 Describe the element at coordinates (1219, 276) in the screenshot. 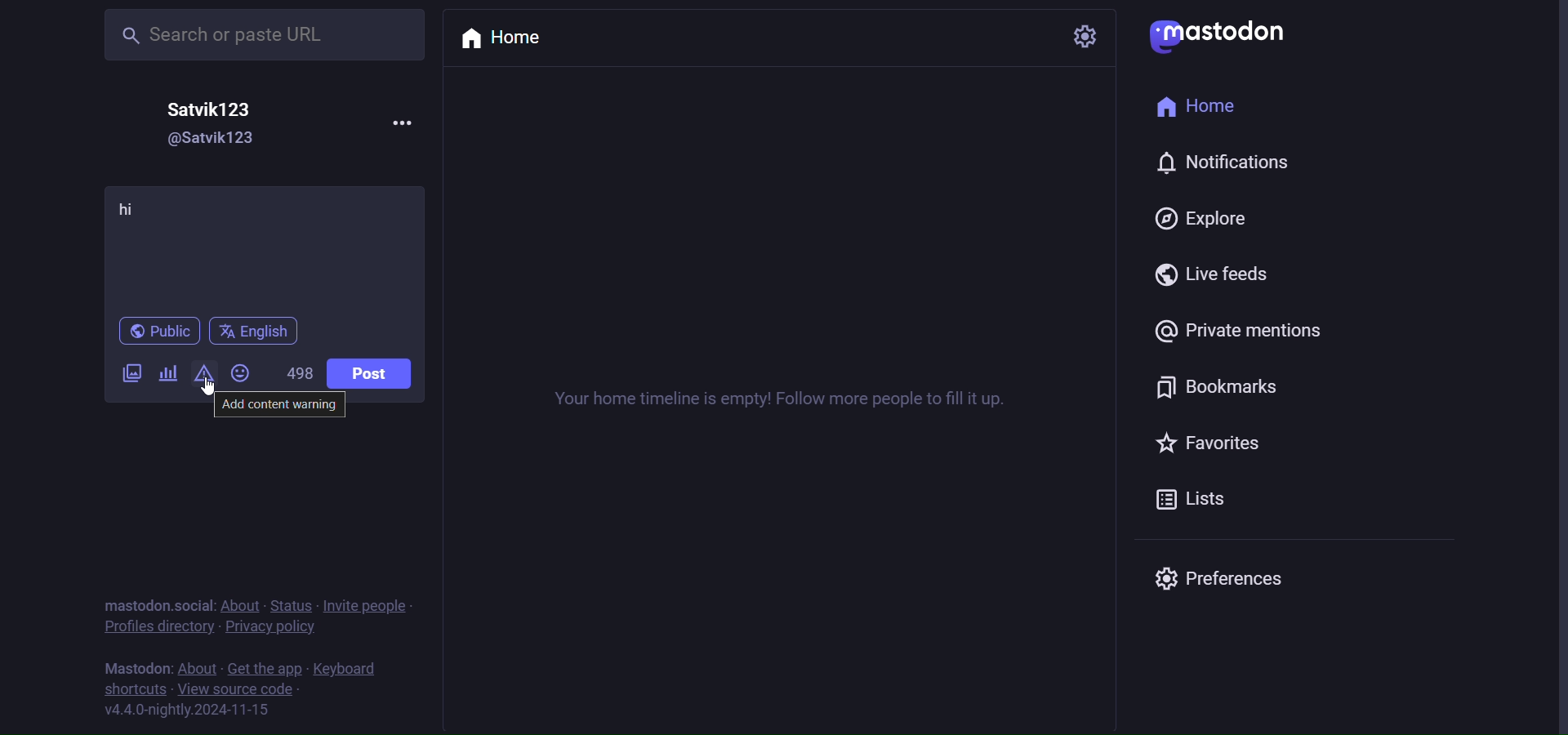

I see `live feed` at that location.